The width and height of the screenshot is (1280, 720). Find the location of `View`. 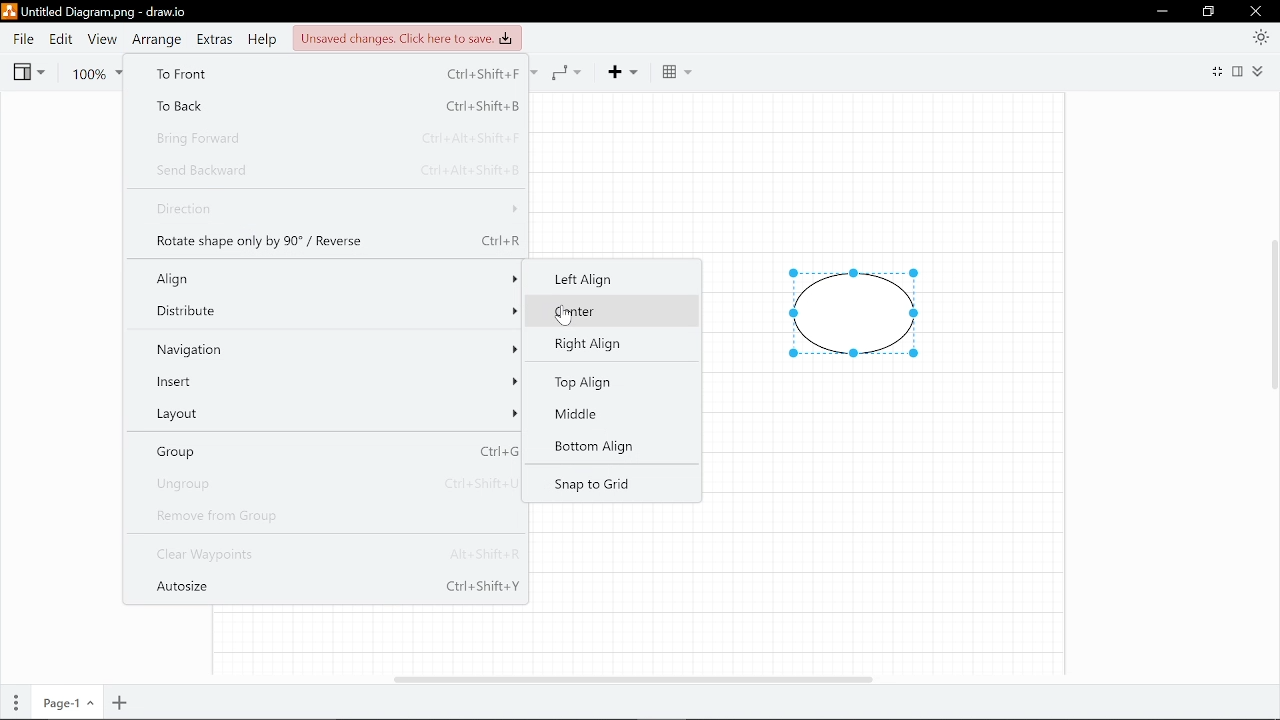

View is located at coordinates (28, 70).